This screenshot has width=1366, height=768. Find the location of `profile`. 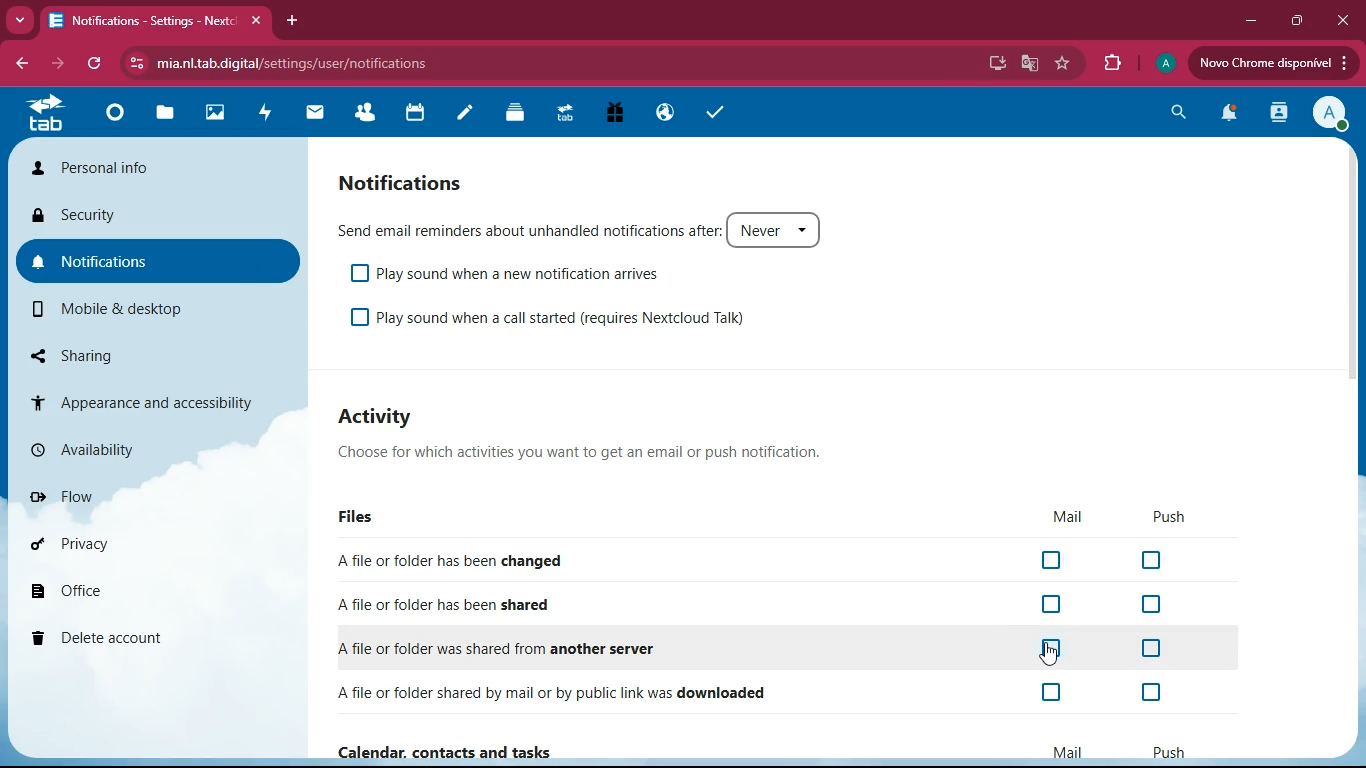

profile is located at coordinates (1162, 65).